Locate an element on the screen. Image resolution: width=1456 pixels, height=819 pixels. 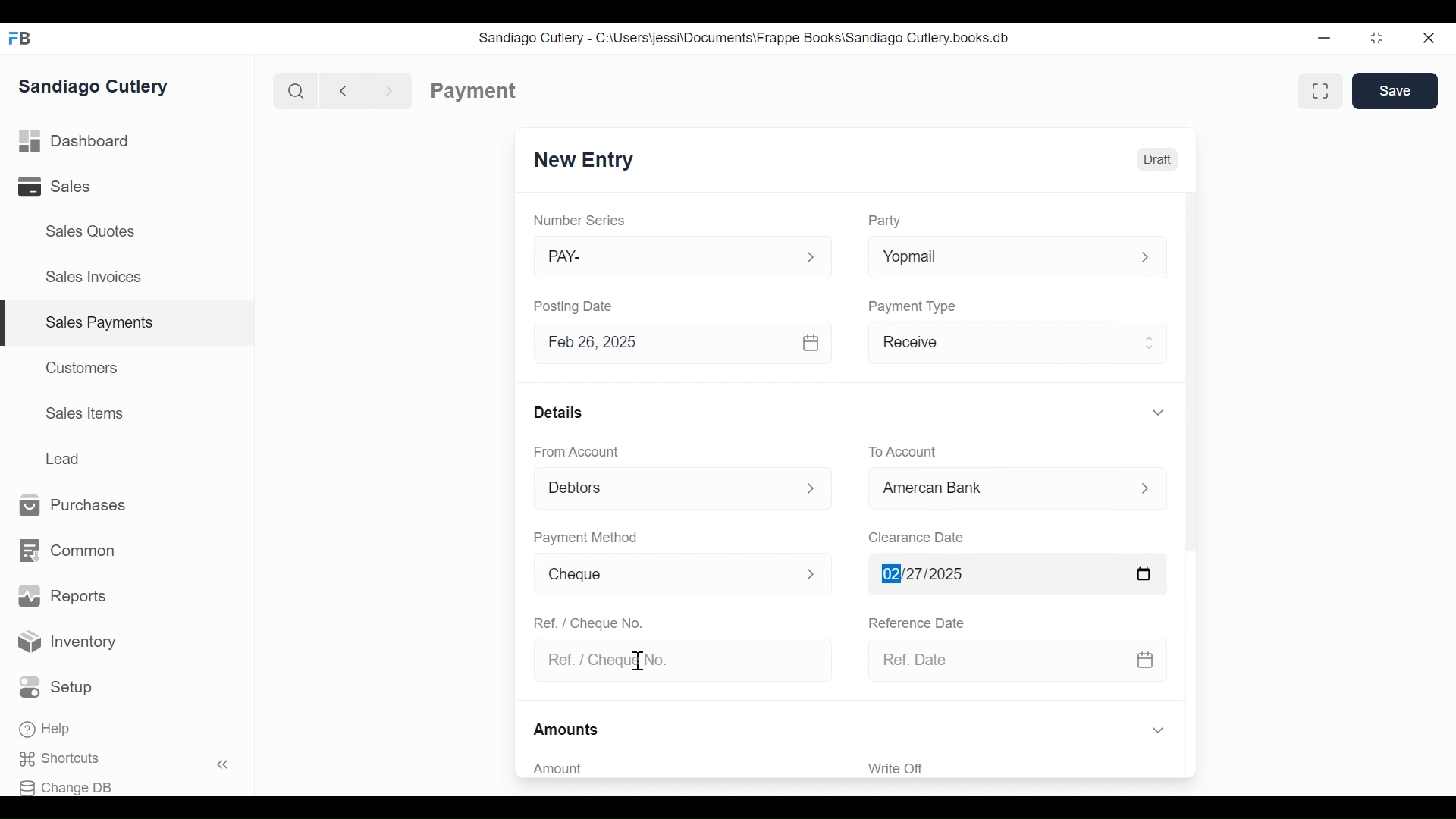
Frappe Books is located at coordinates (21, 38).